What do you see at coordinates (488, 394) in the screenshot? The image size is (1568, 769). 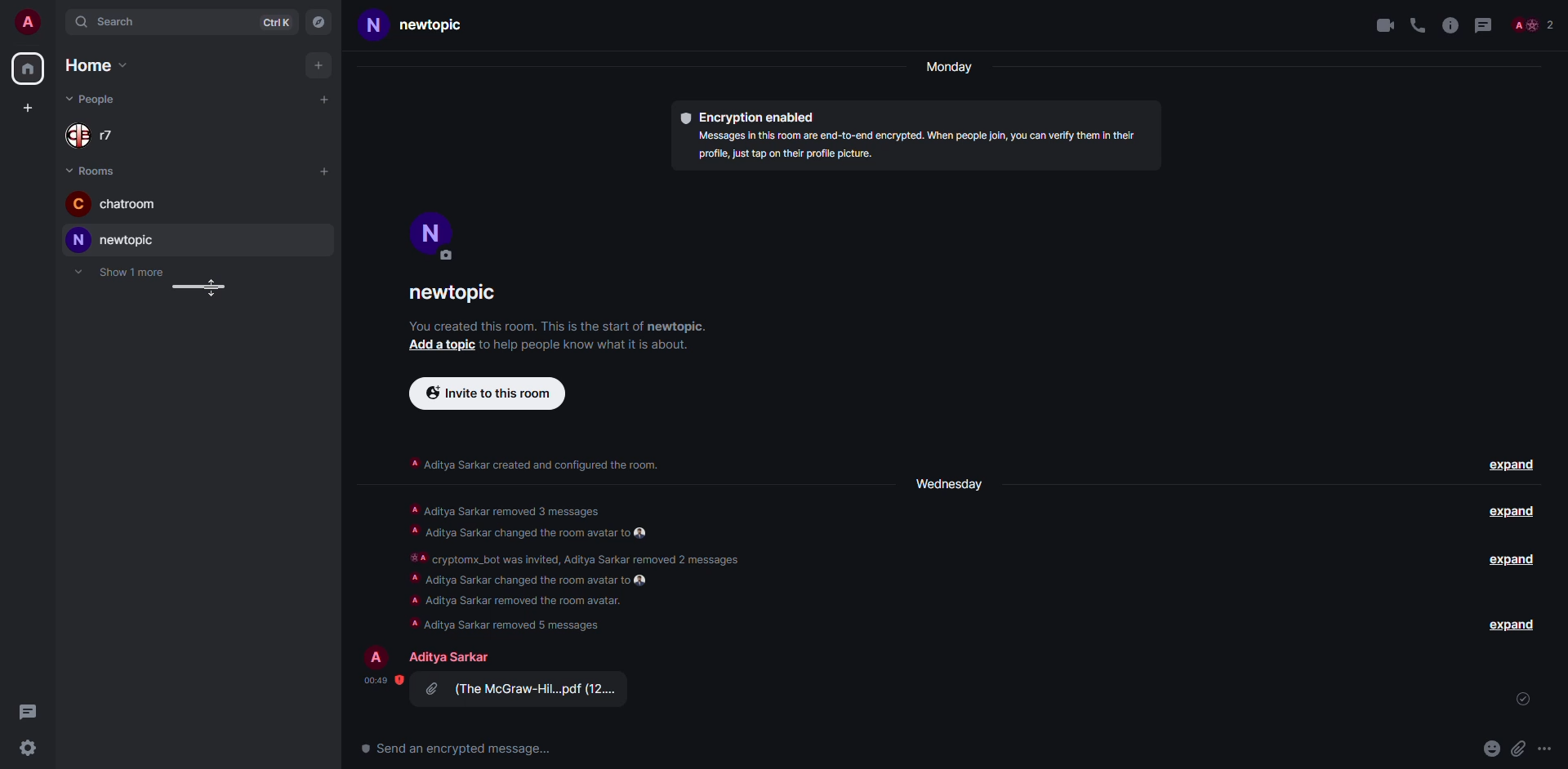 I see `invite to this room` at bounding box center [488, 394].